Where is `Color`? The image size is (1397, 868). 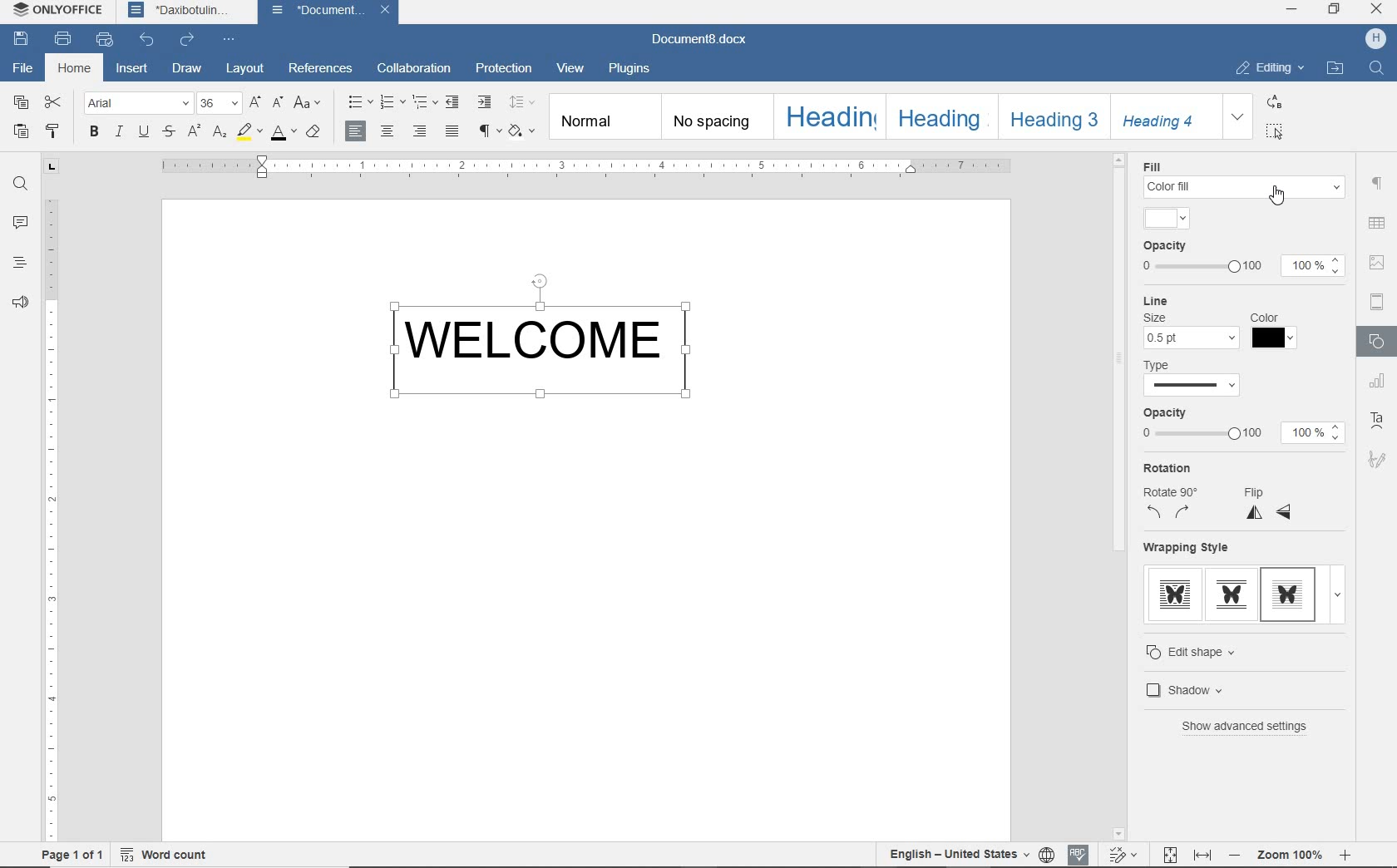 Color is located at coordinates (1264, 318).